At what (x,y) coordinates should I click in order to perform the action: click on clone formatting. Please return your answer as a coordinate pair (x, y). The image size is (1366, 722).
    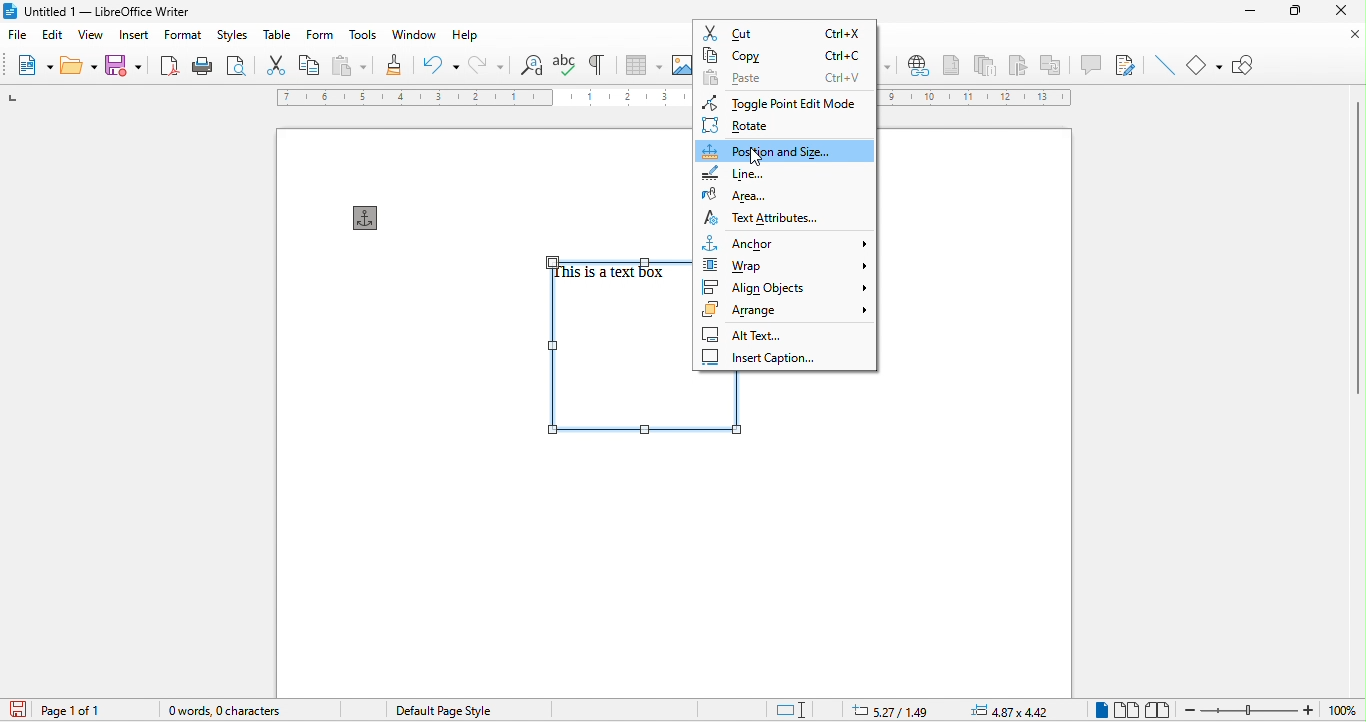
    Looking at the image, I should click on (392, 66).